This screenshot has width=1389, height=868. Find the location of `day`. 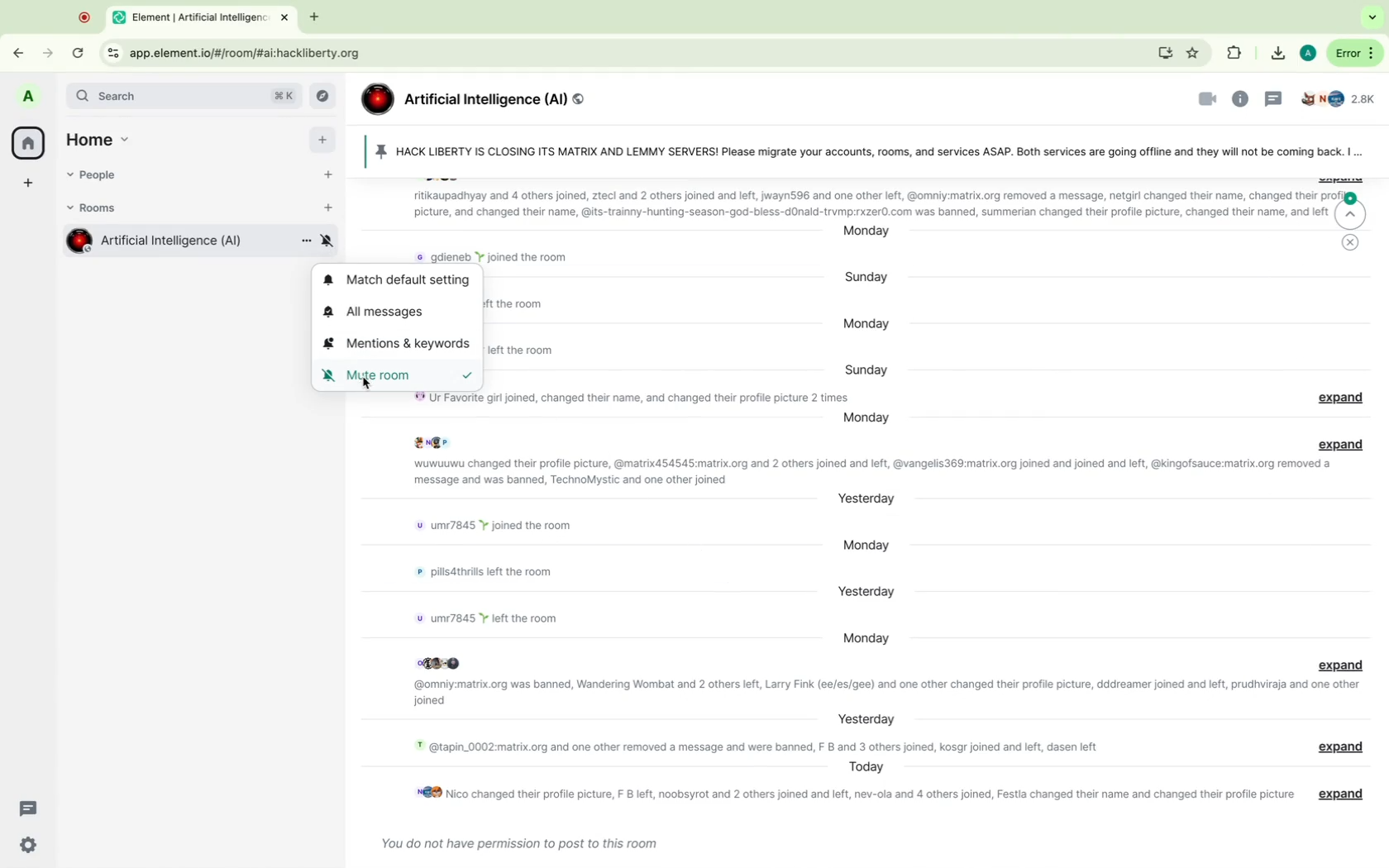

day is located at coordinates (861, 718).